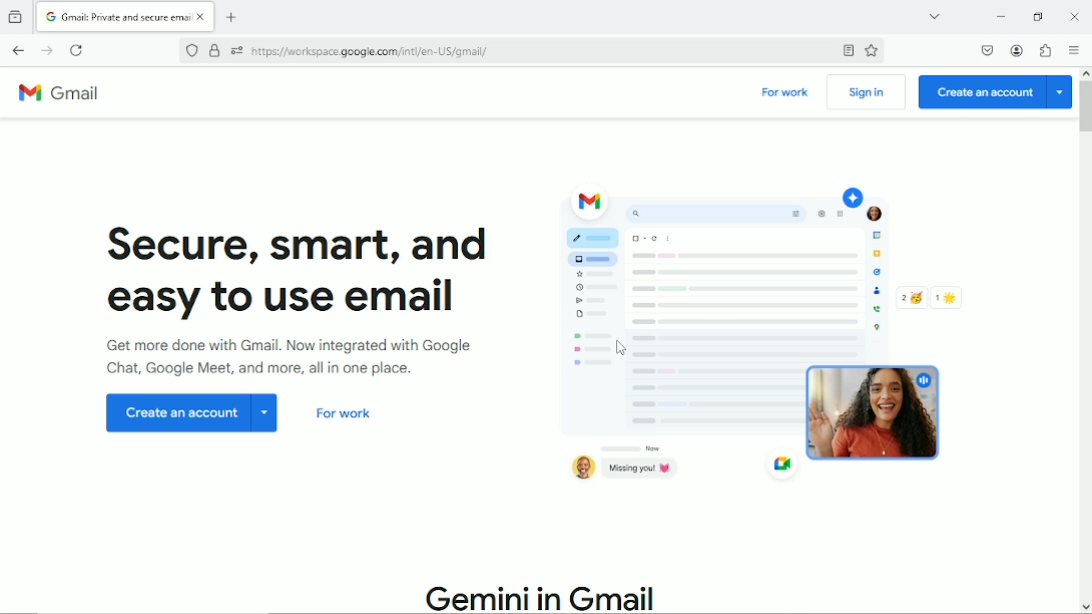  What do you see at coordinates (127, 17) in the screenshot?
I see `Current tab` at bounding box center [127, 17].